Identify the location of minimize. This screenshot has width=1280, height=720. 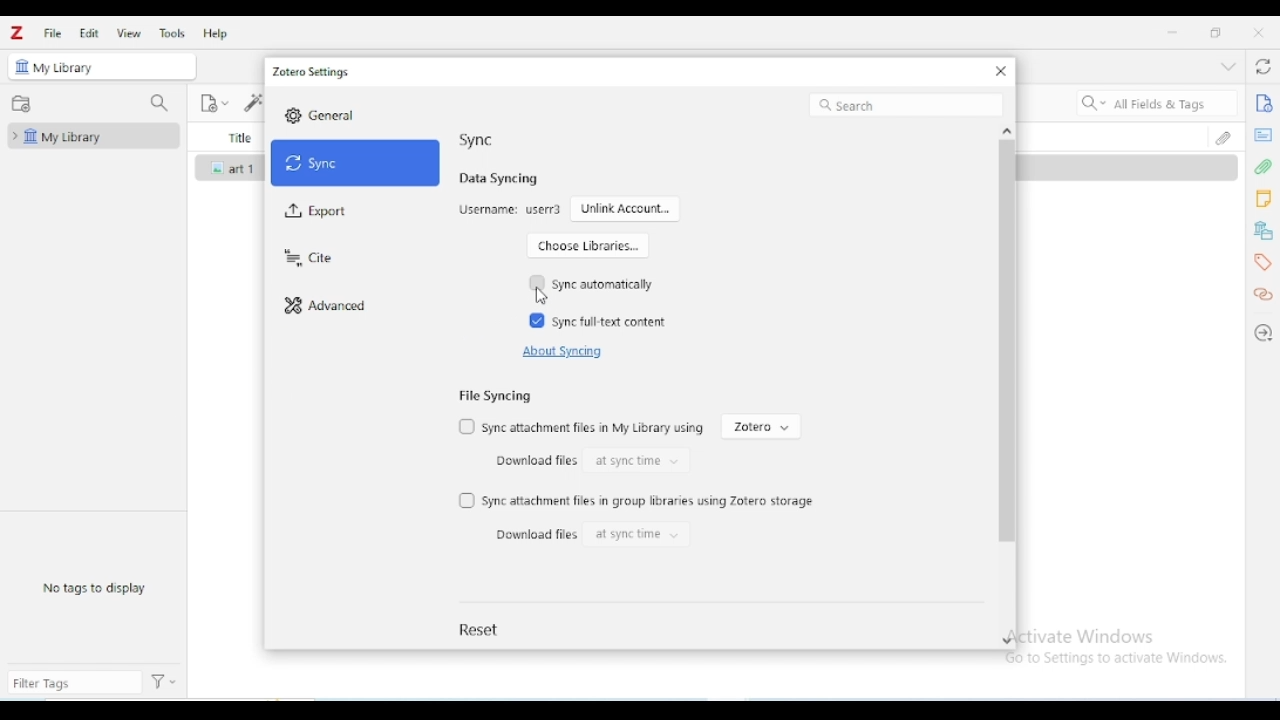
(1173, 33).